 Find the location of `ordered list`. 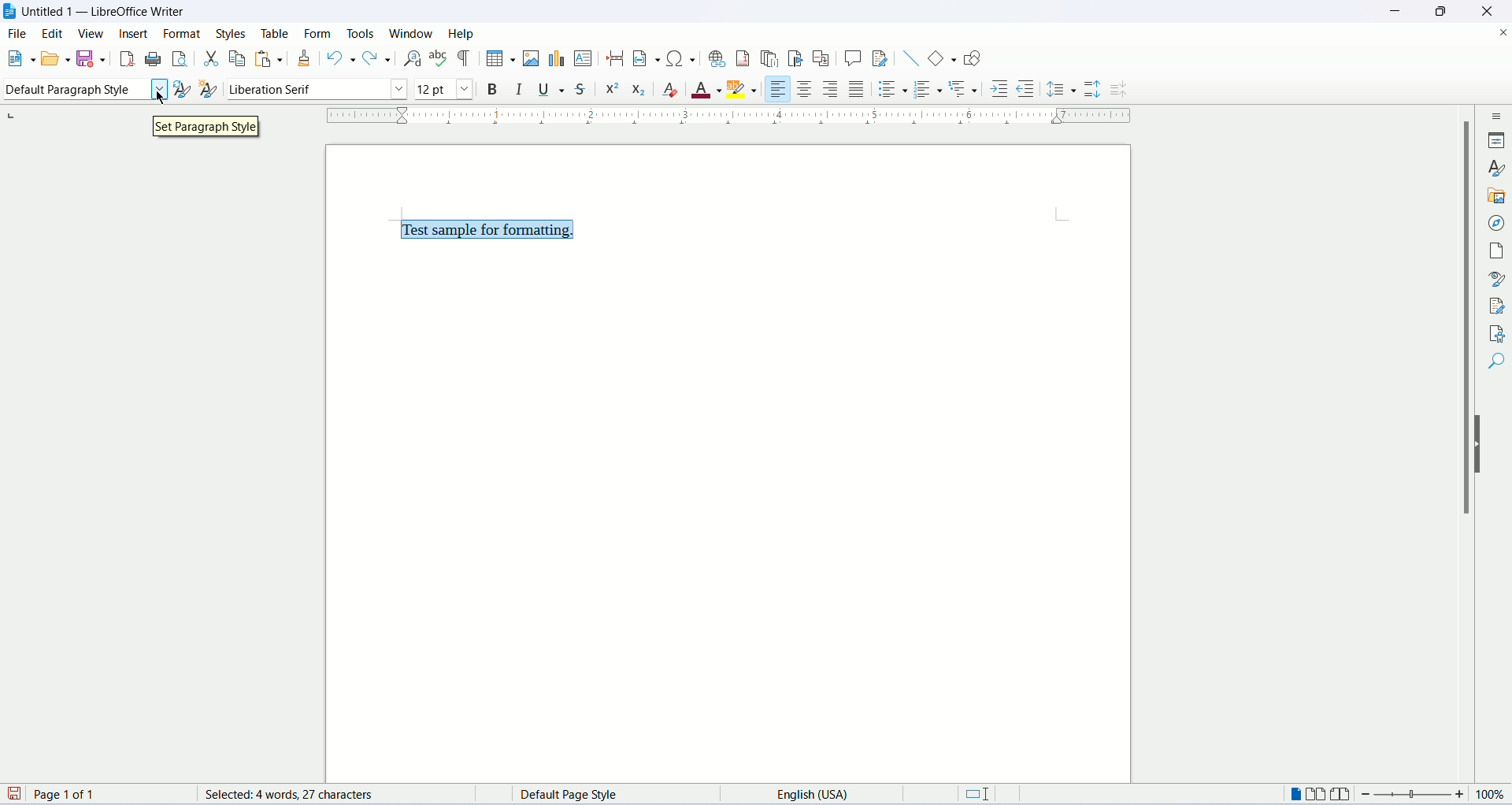

ordered list is located at coordinates (932, 88).